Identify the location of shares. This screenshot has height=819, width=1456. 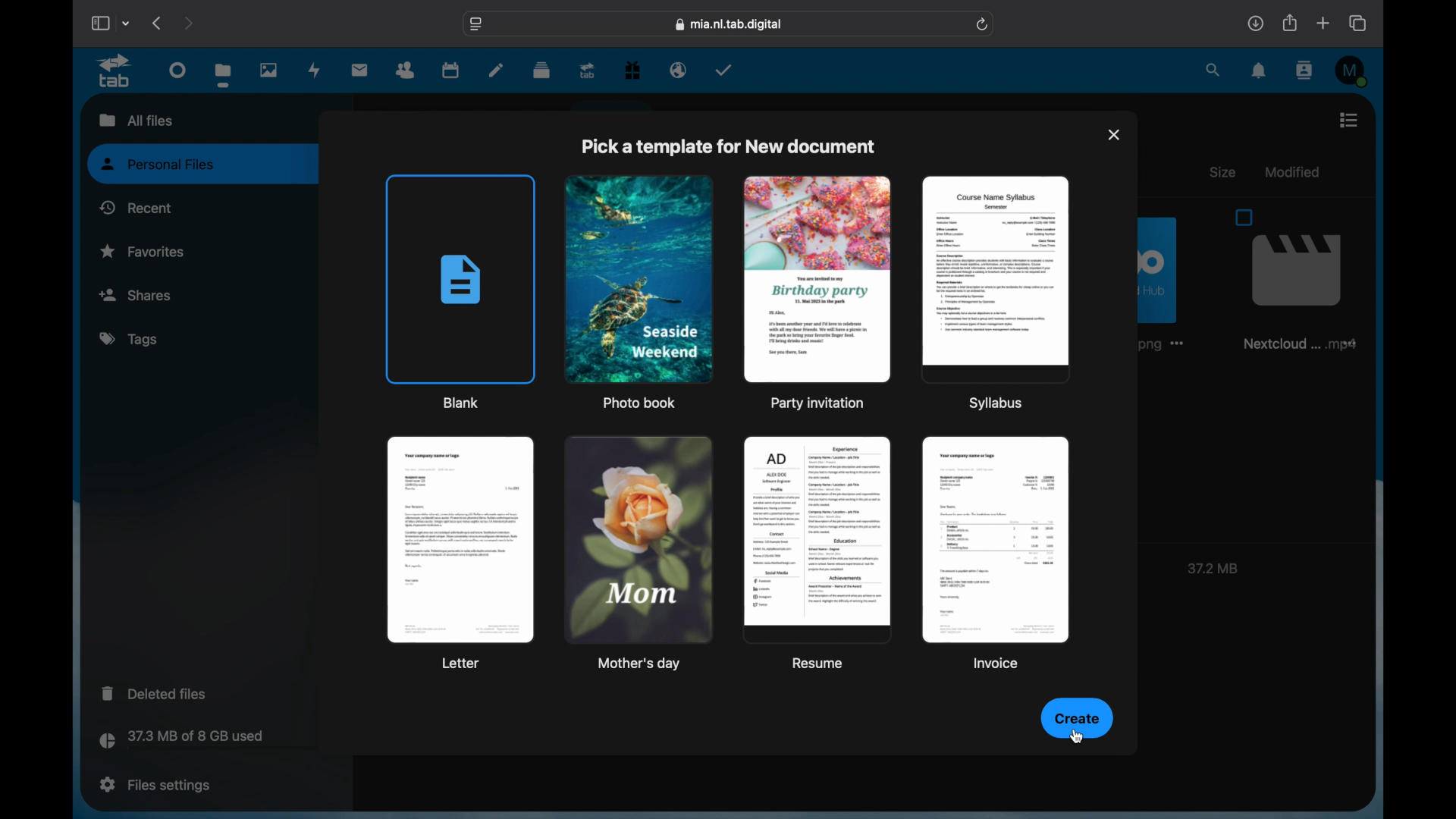
(144, 295).